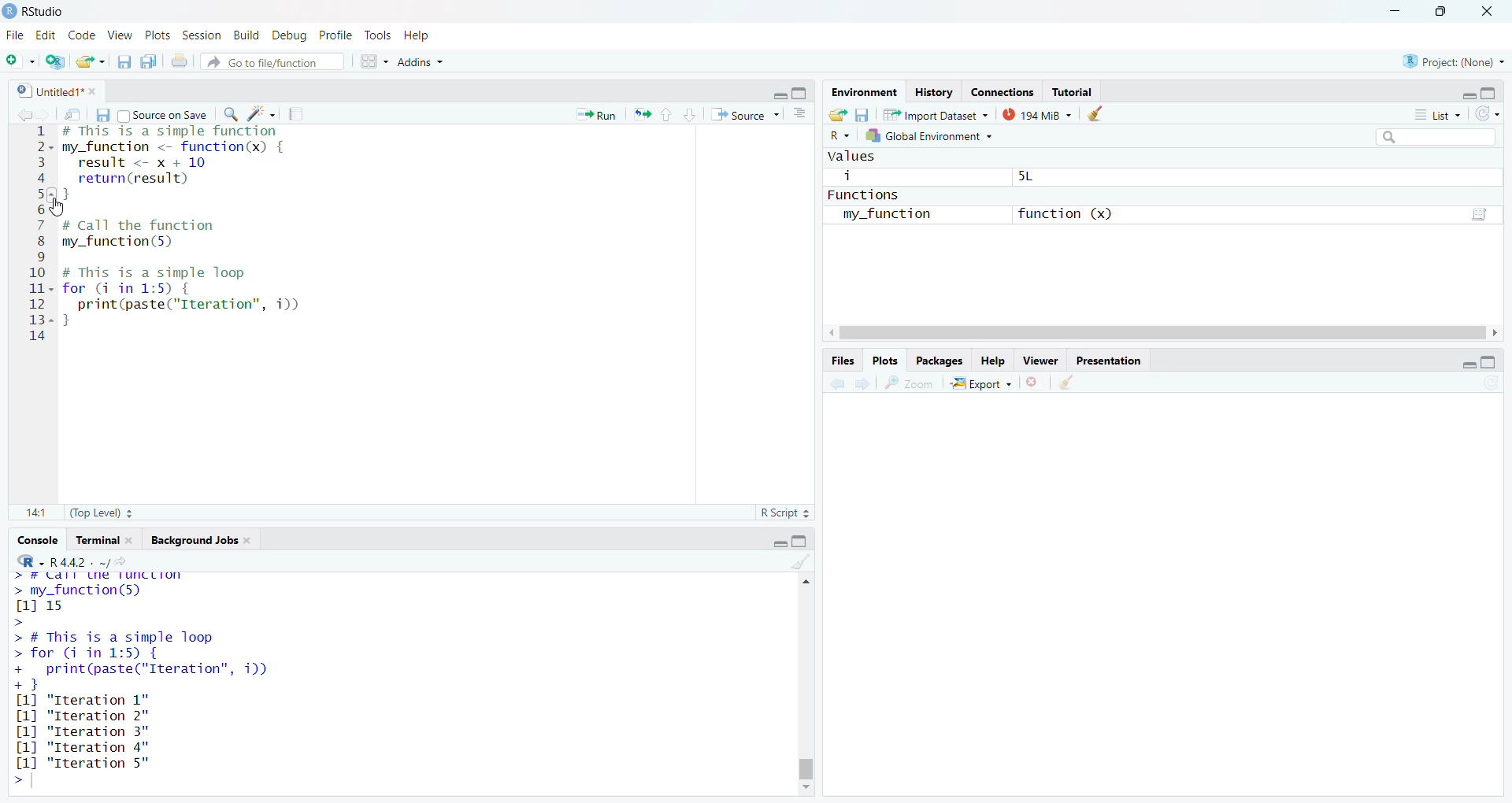 This screenshot has width=1512, height=803. I want to click on scrollbar, so click(1165, 333).